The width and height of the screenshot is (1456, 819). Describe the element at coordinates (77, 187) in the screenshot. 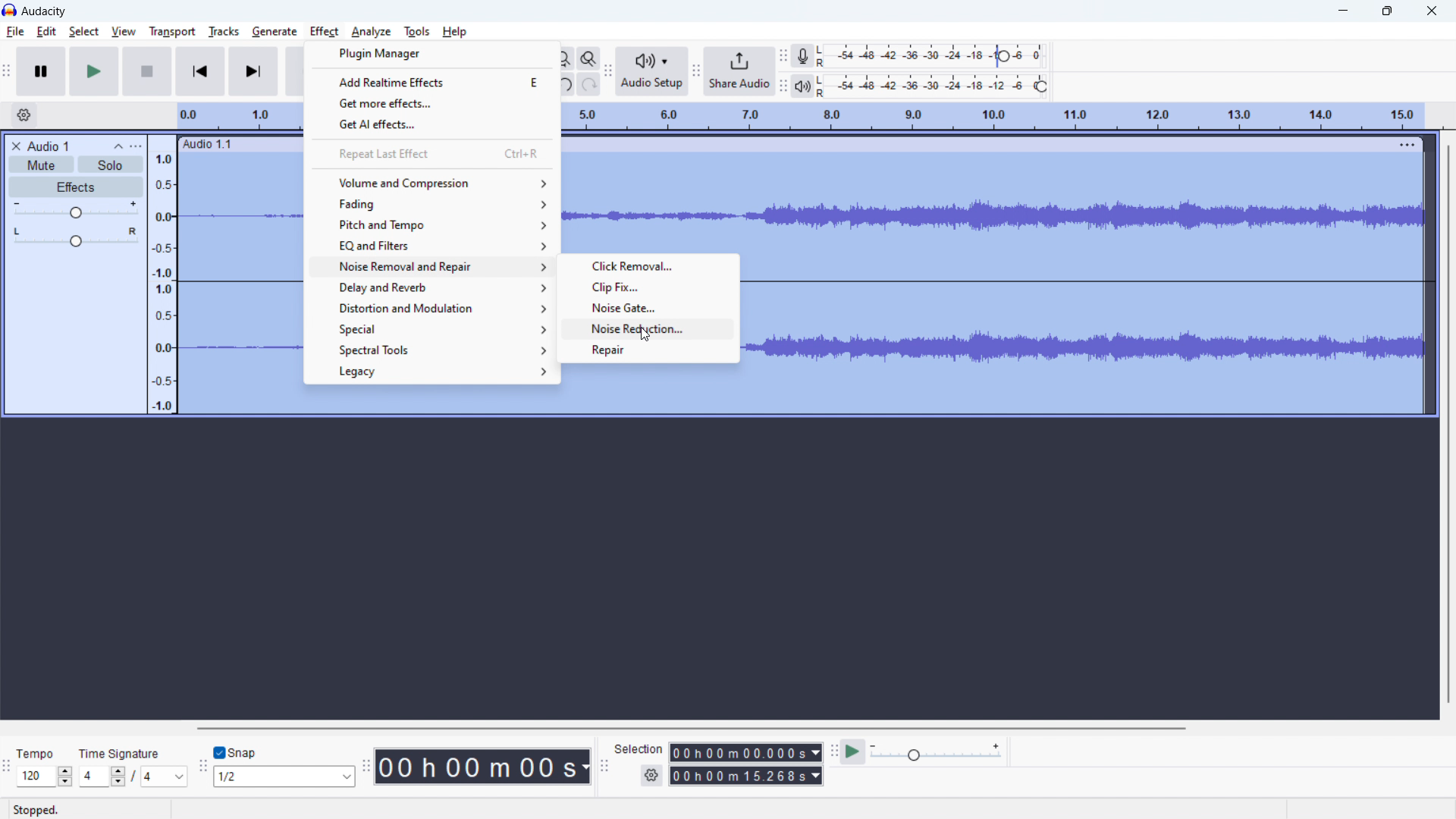

I see `effects` at that location.